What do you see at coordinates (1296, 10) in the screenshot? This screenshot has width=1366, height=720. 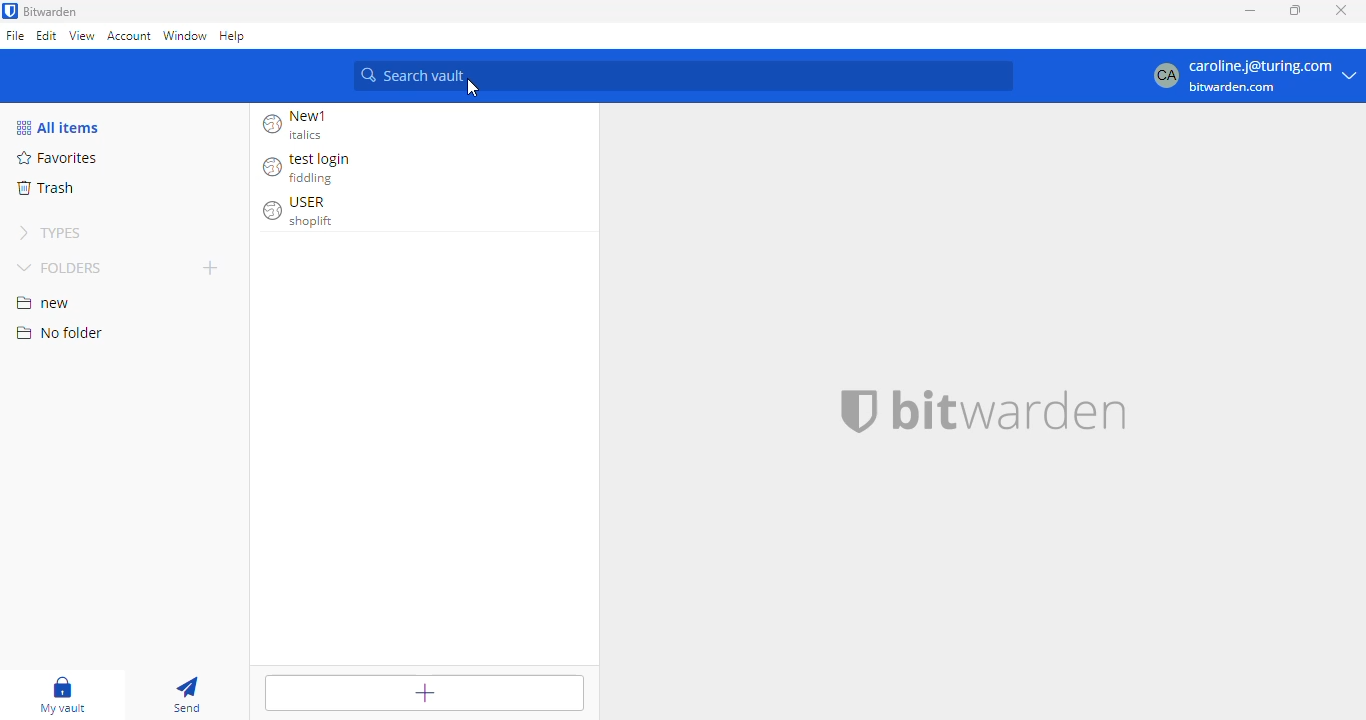 I see `maximize` at bounding box center [1296, 10].